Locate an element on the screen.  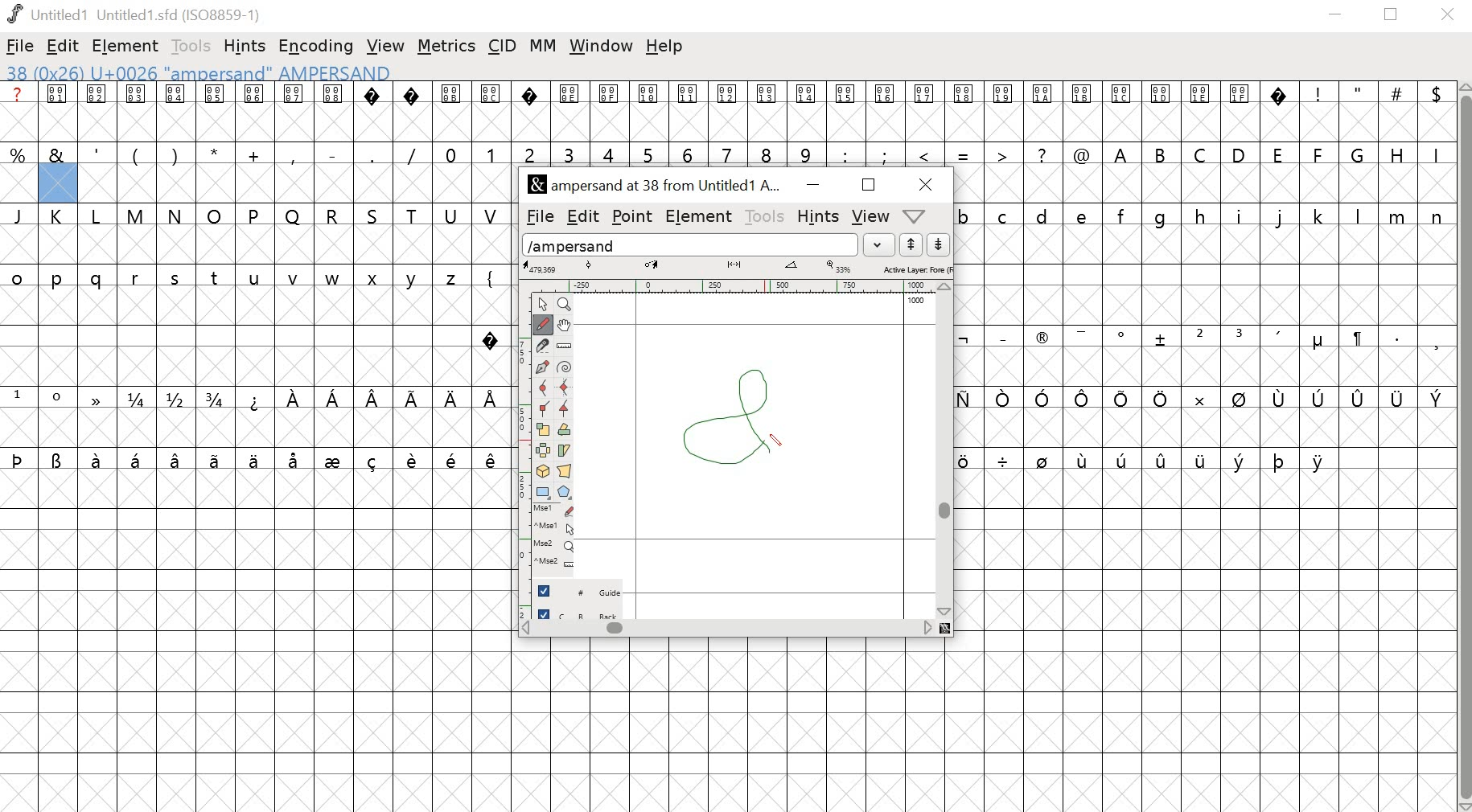
symbol is located at coordinates (971, 459).